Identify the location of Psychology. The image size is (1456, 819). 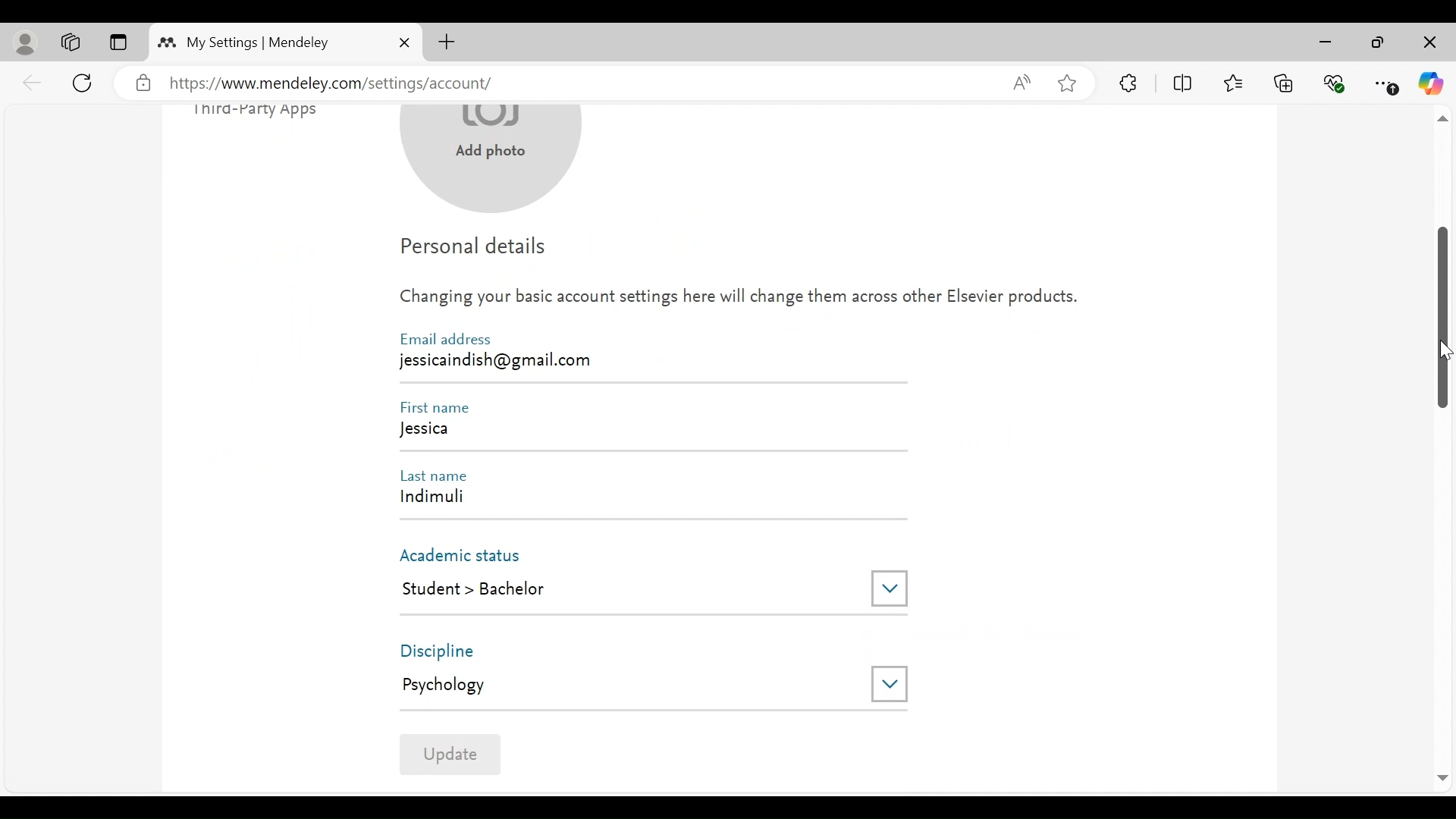
(623, 685).